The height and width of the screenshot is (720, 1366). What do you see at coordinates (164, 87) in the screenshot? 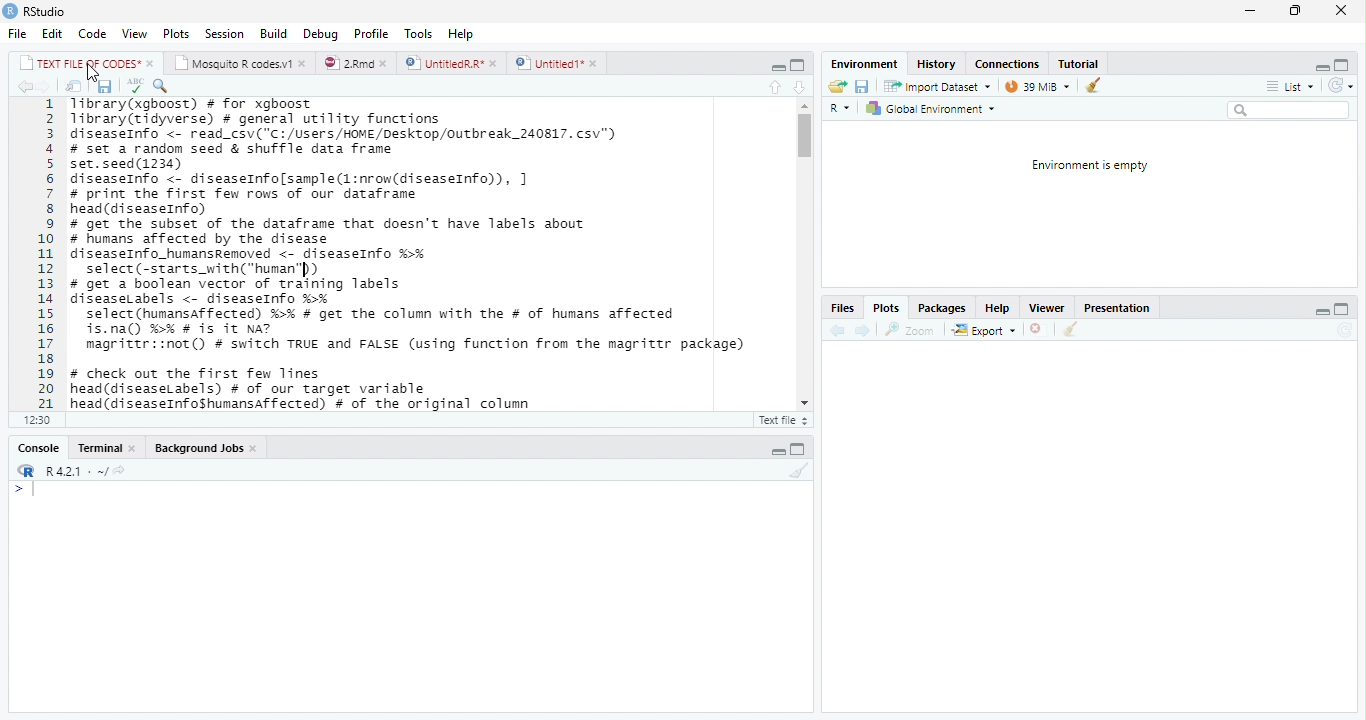
I see `Source on Save` at bounding box center [164, 87].